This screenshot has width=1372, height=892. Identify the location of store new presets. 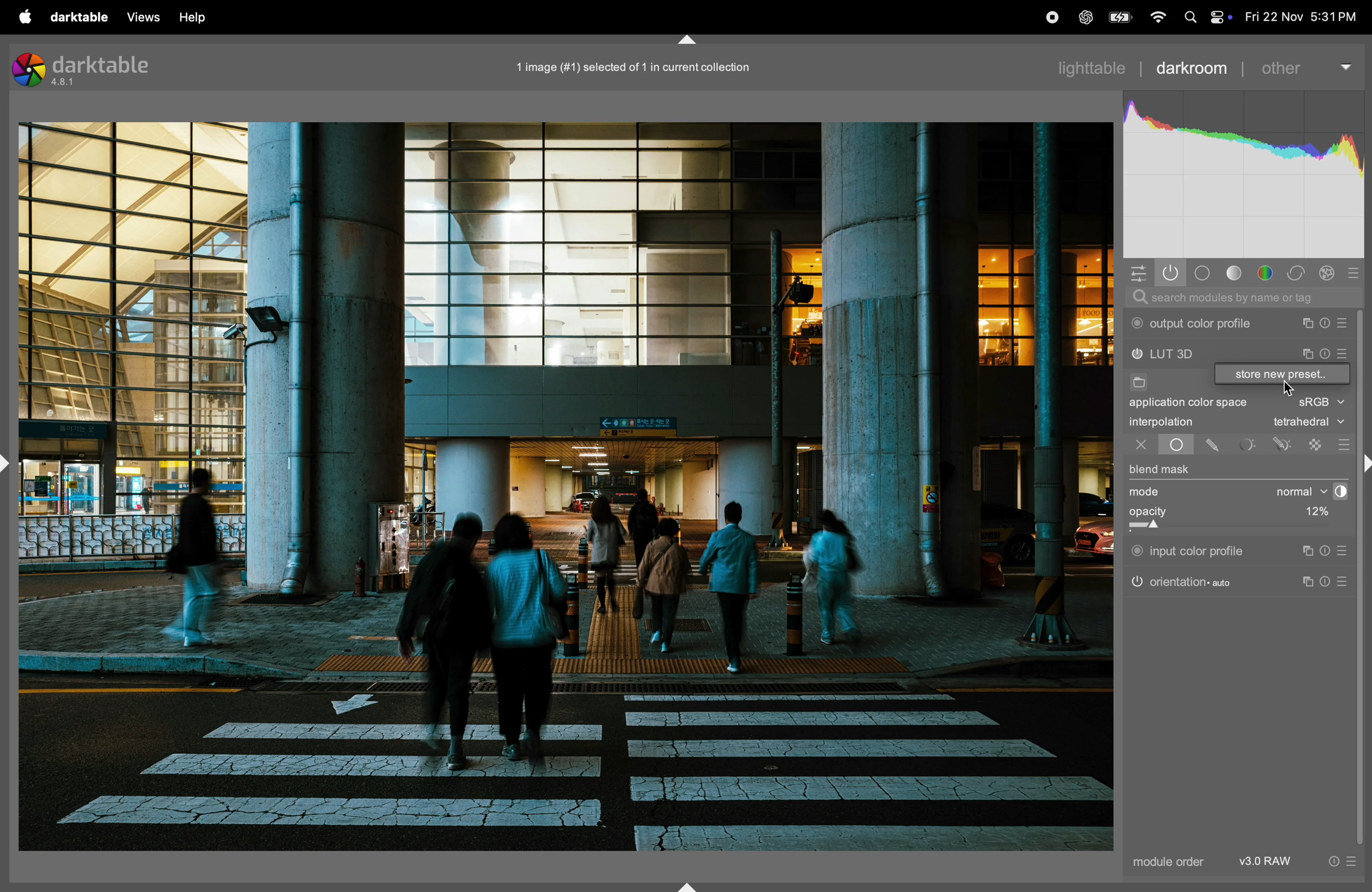
(1282, 375).